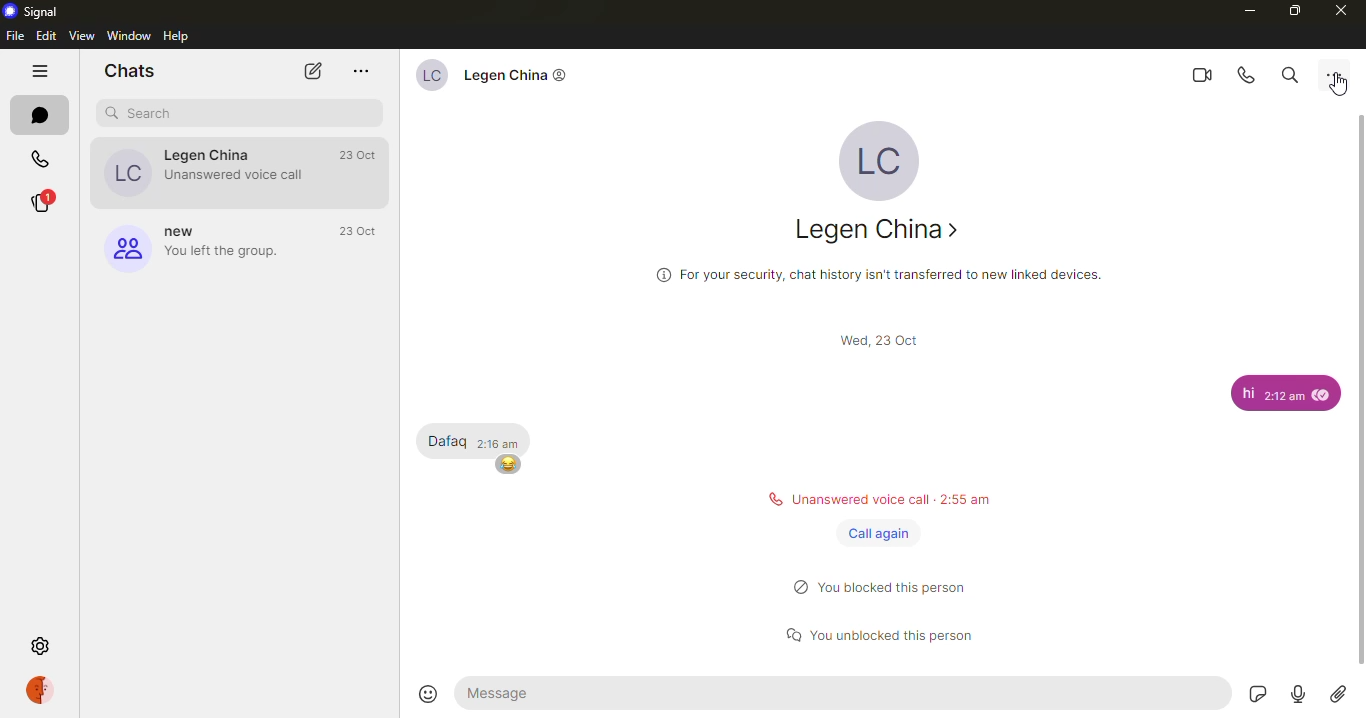 This screenshot has height=718, width=1366. Describe the element at coordinates (363, 154) in the screenshot. I see `time` at that location.